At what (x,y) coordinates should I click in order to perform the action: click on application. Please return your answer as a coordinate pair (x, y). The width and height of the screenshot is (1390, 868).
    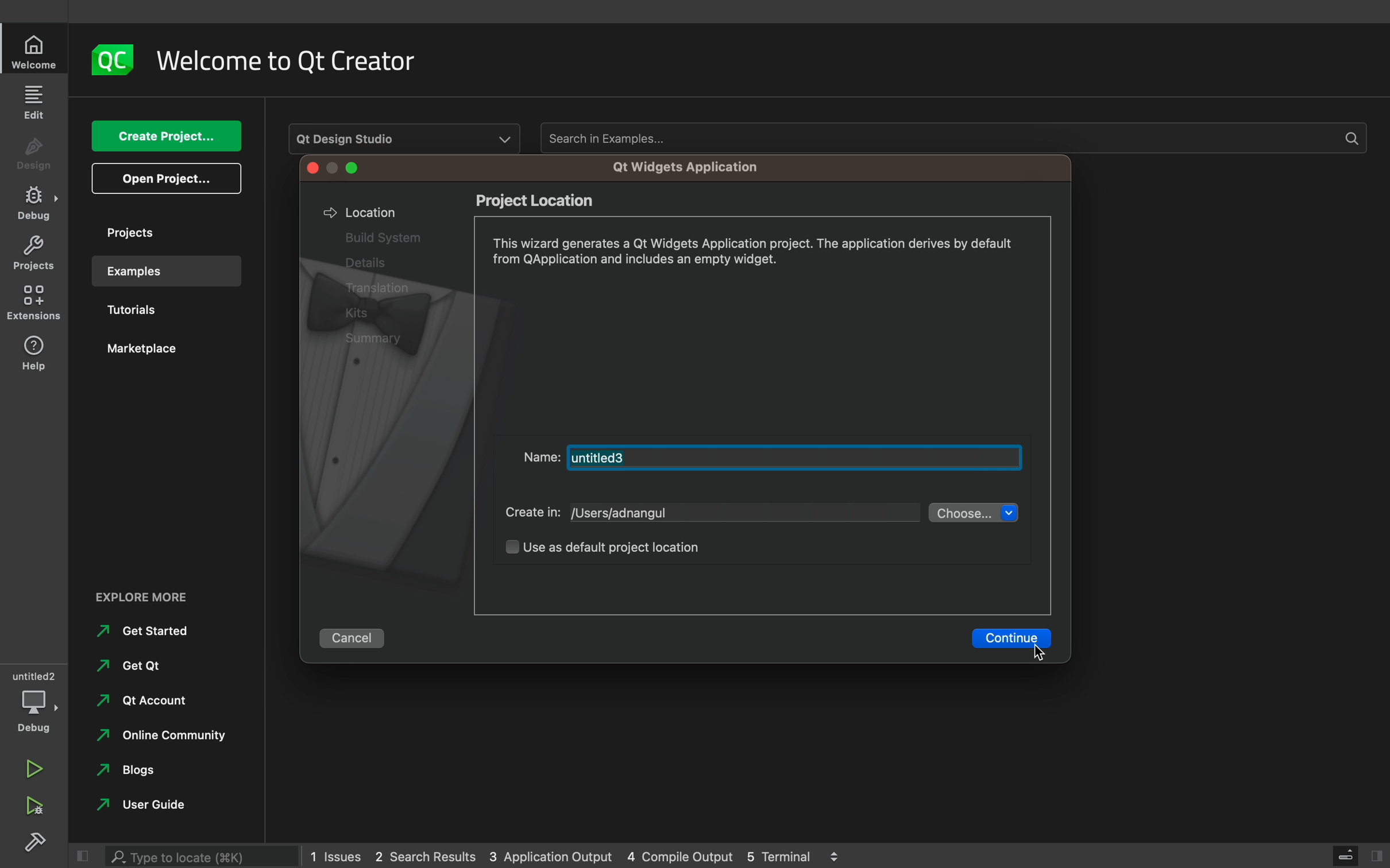
    Looking at the image, I should click on (696, 168).